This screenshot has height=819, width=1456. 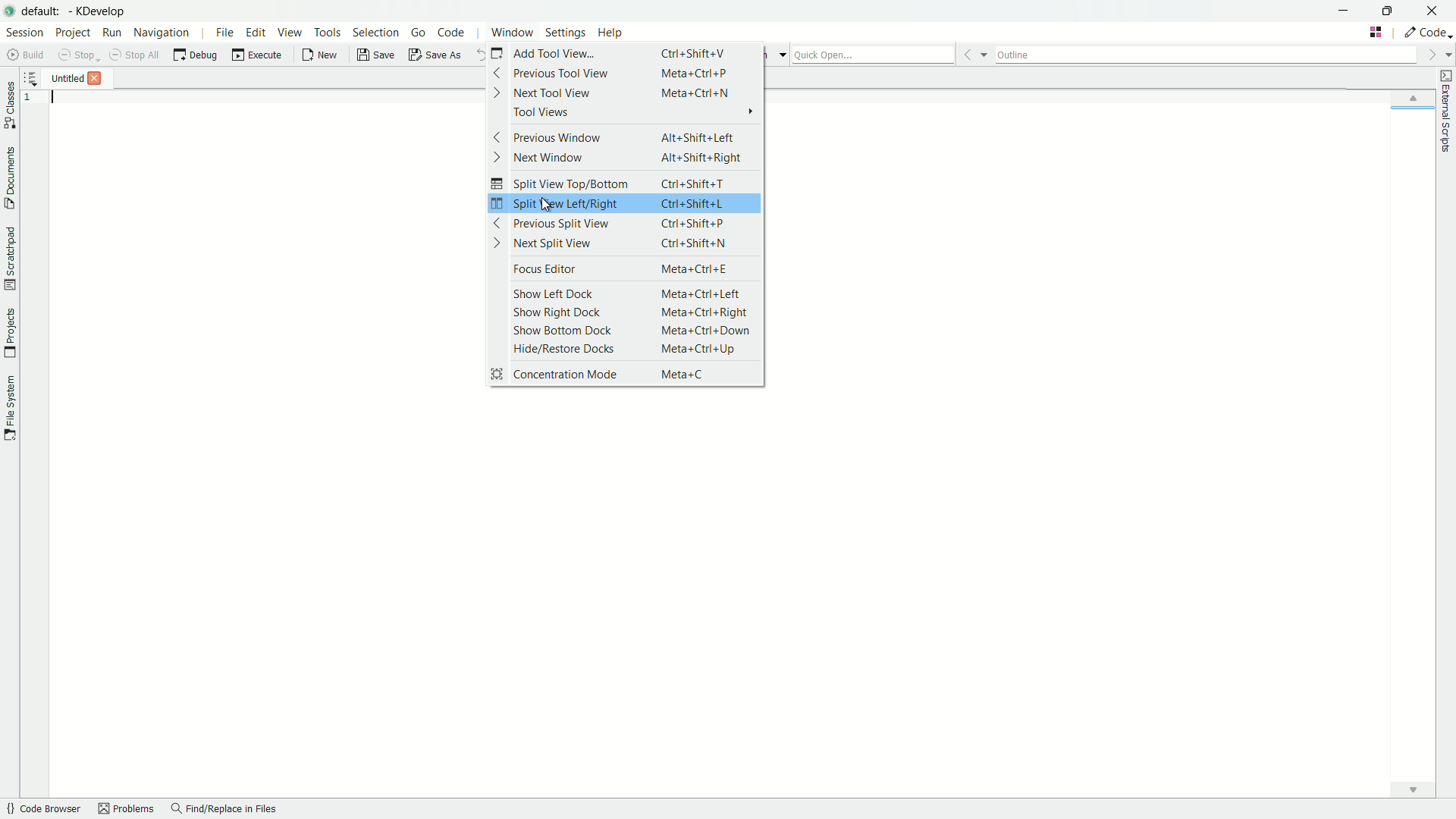 What do you see at coordinates (11, 106) in the screenshot?
I see `toggle classes` at bounding box center [11, 106].